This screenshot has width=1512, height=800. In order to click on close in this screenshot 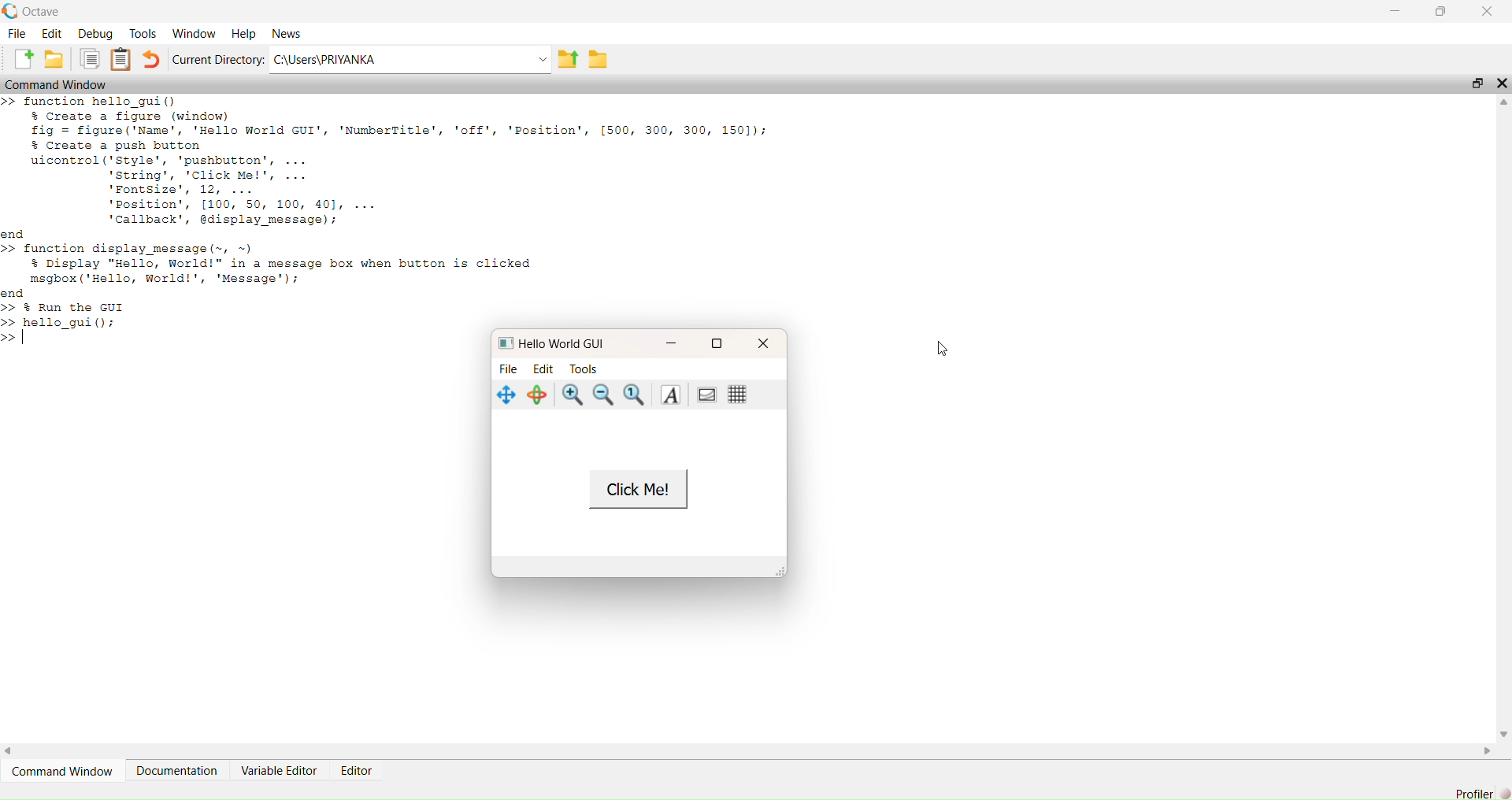, I will do `click(1488, 10)`.